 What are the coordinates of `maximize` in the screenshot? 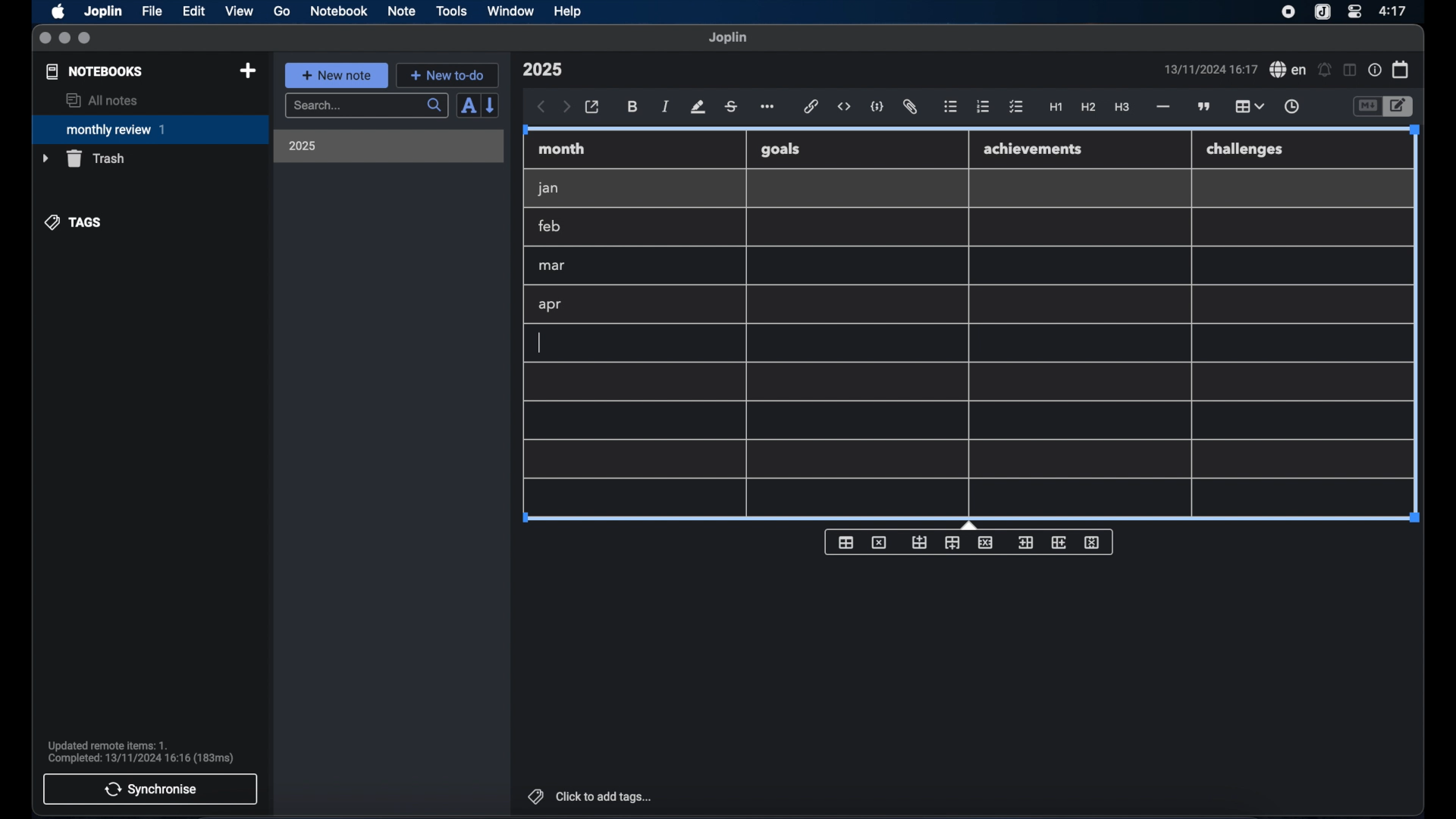 It's located at (86, 39).